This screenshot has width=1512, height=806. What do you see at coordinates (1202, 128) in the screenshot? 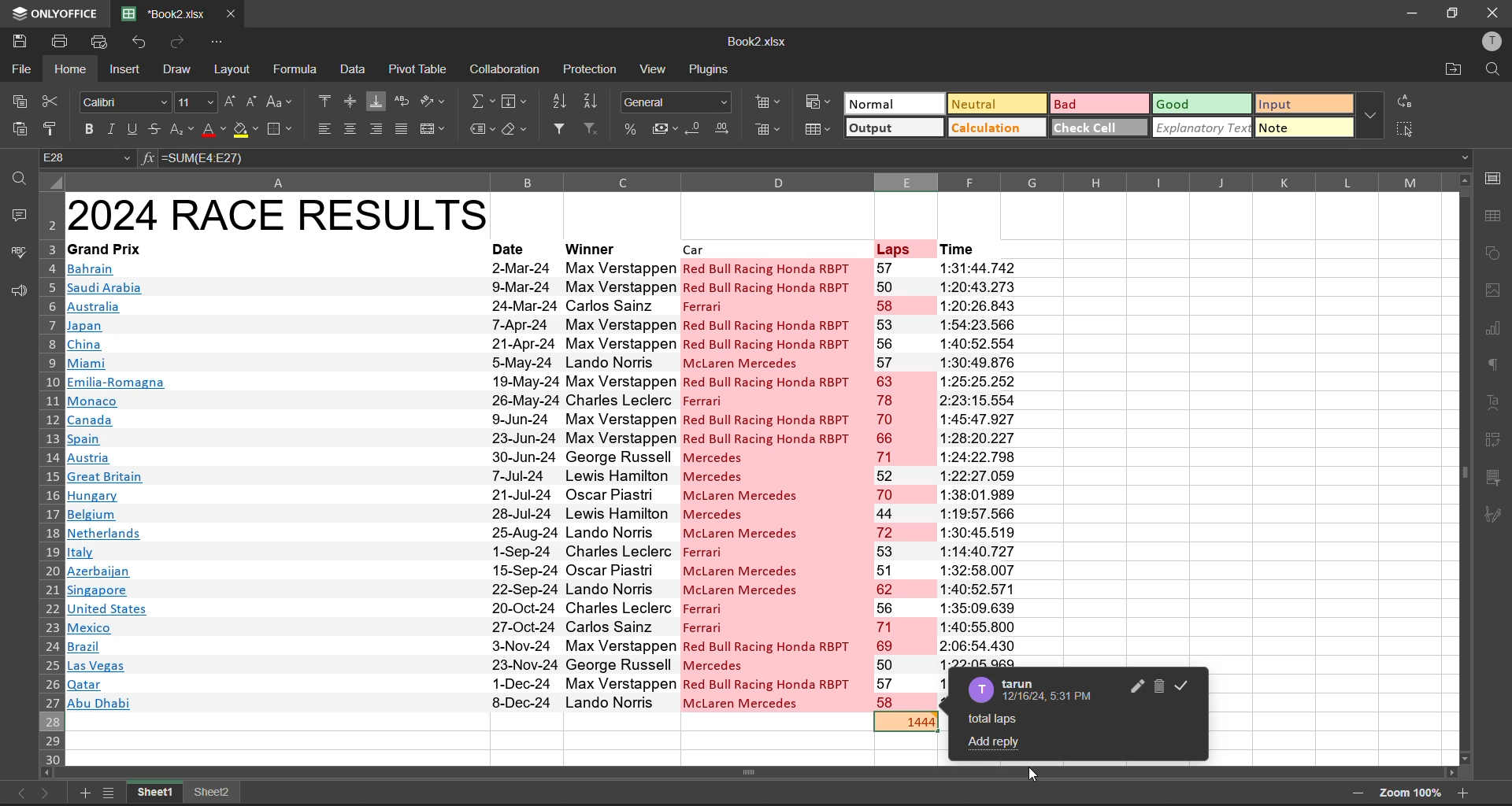
I see `explanatory text` at bounding box center [1202, 128].